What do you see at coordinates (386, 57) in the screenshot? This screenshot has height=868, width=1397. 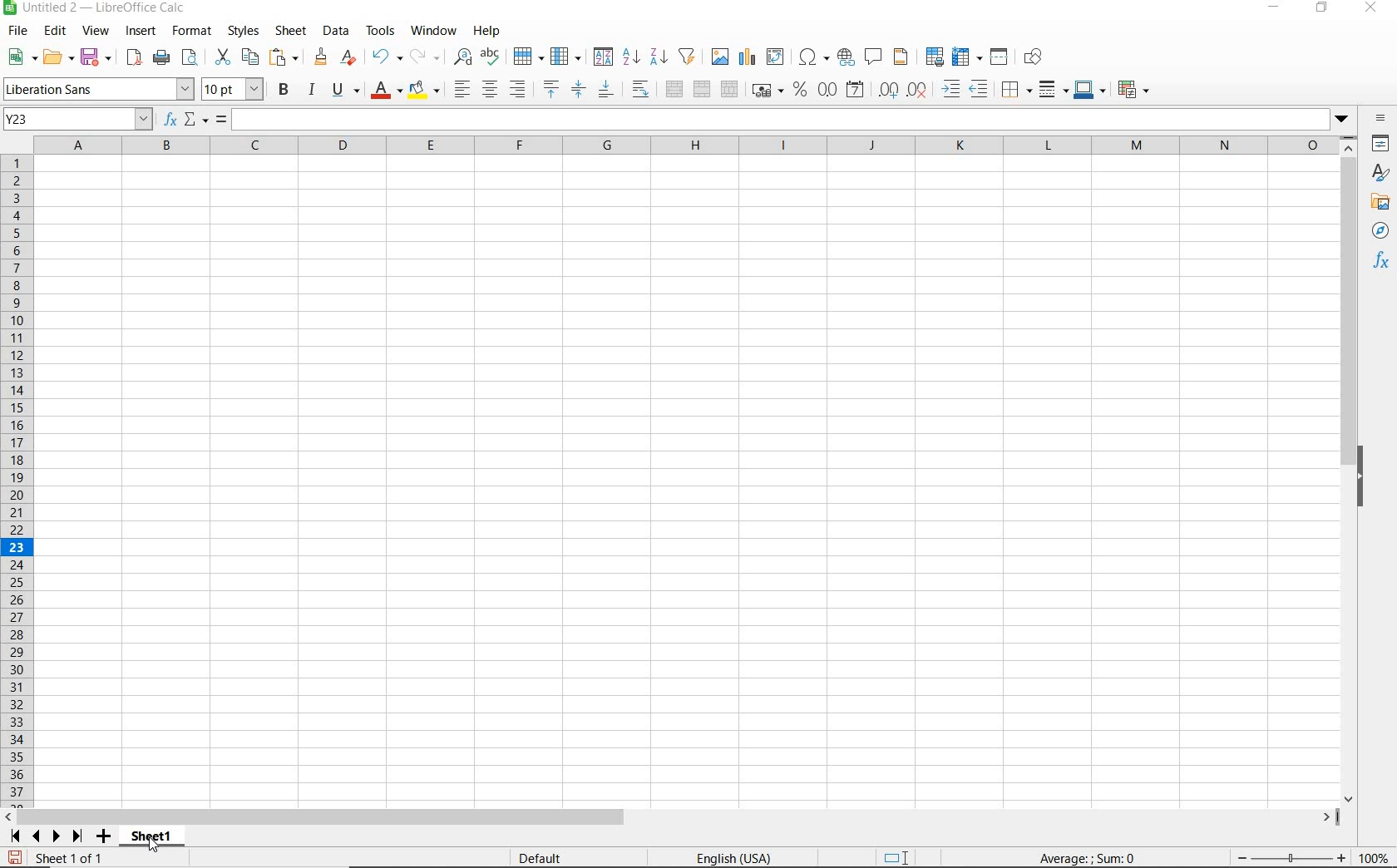 I see `UNDO` at bounding box center [386, 57].